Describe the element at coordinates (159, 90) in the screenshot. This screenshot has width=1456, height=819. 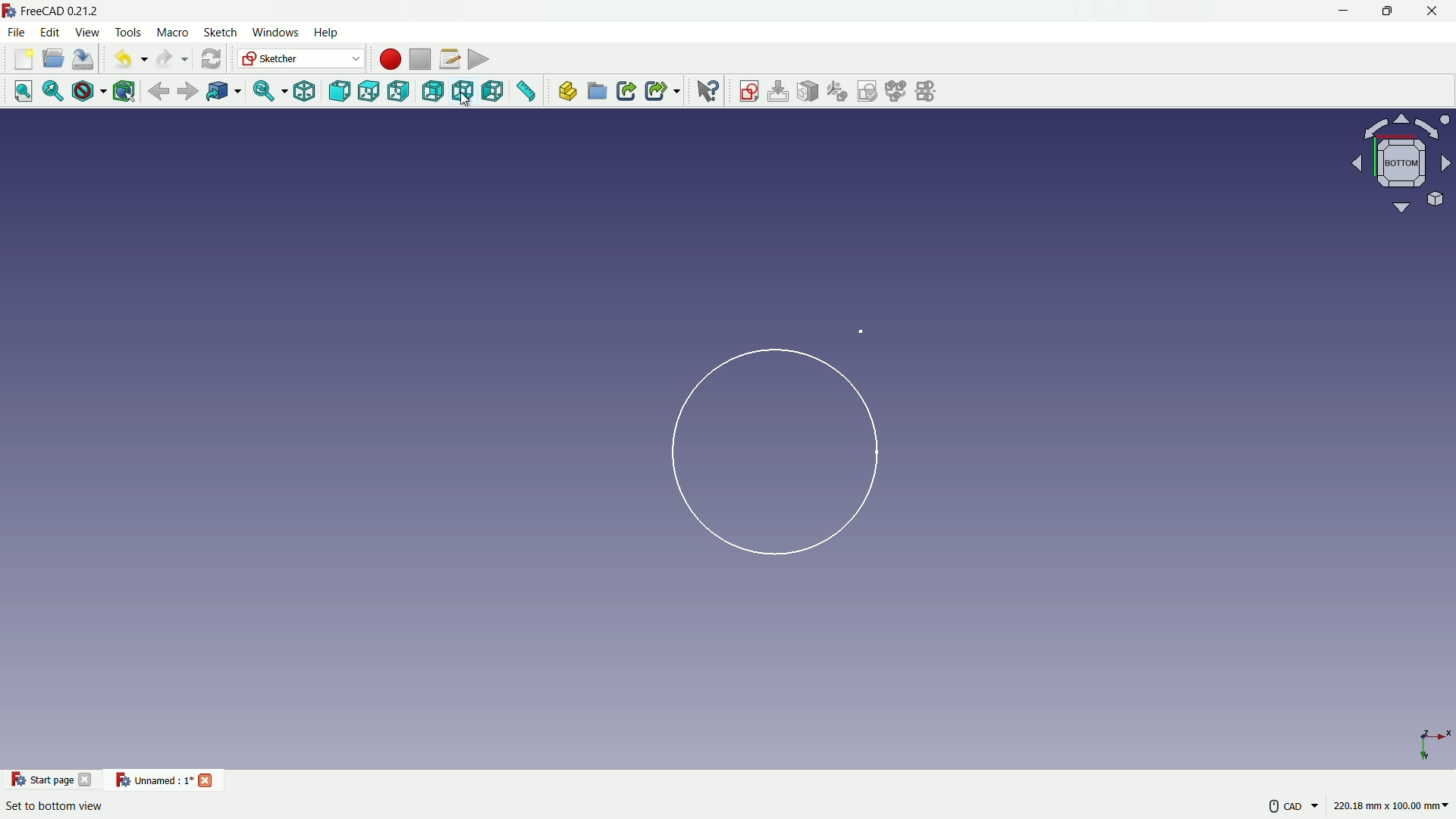
I see `back` at that location.